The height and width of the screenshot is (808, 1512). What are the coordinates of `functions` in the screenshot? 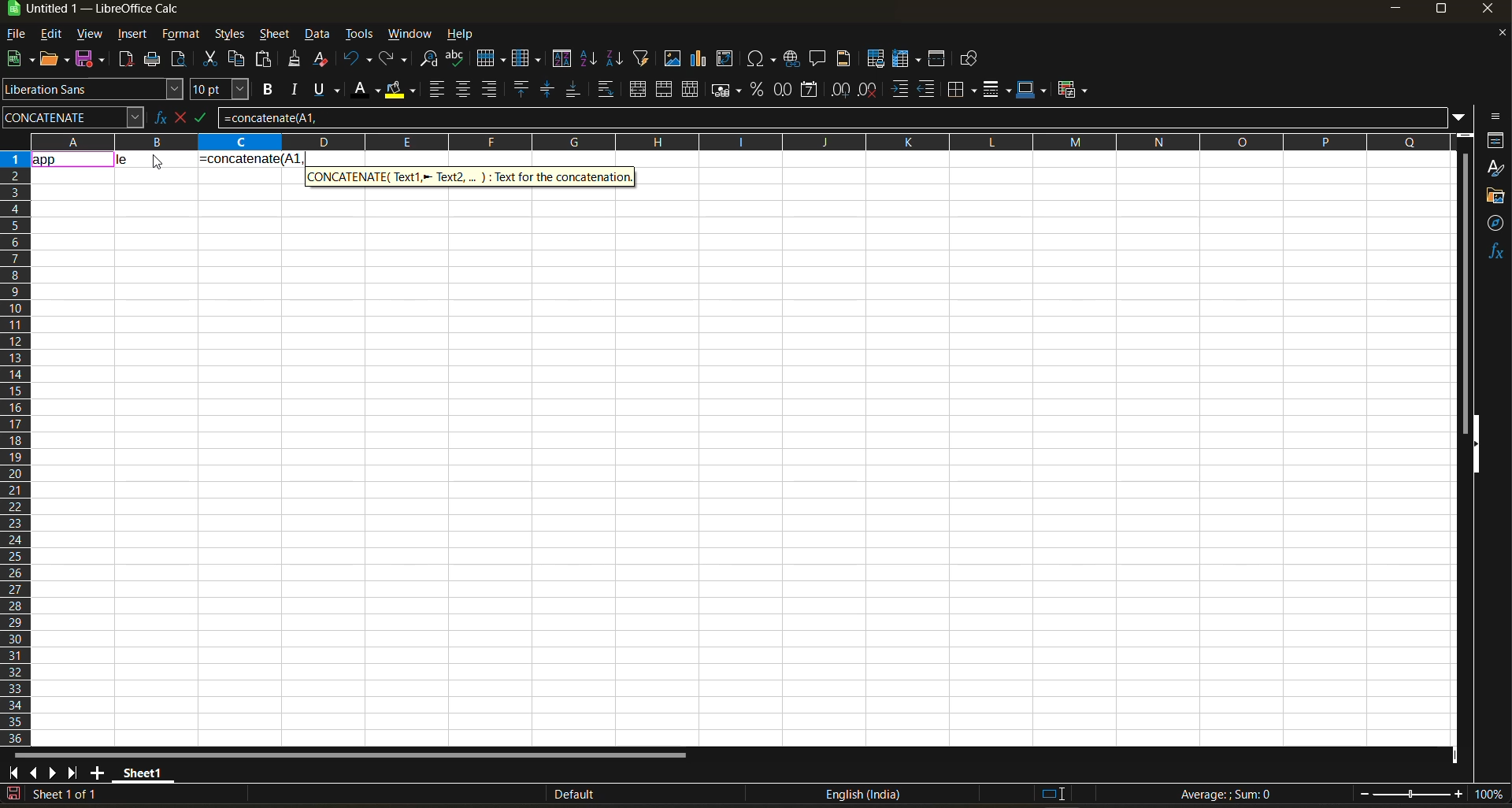 It's located at (1495, 251).